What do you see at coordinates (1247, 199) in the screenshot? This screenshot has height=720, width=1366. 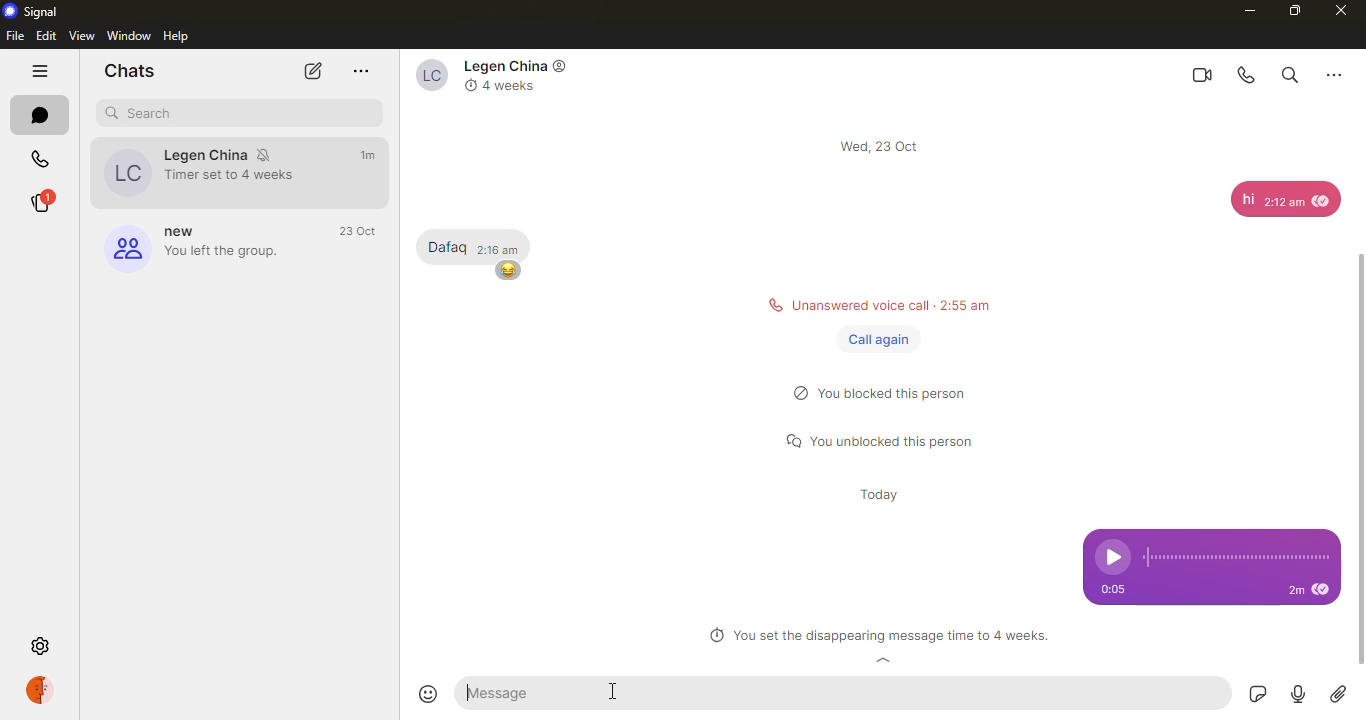 I see `hi` at bounding box center [1247, 199].